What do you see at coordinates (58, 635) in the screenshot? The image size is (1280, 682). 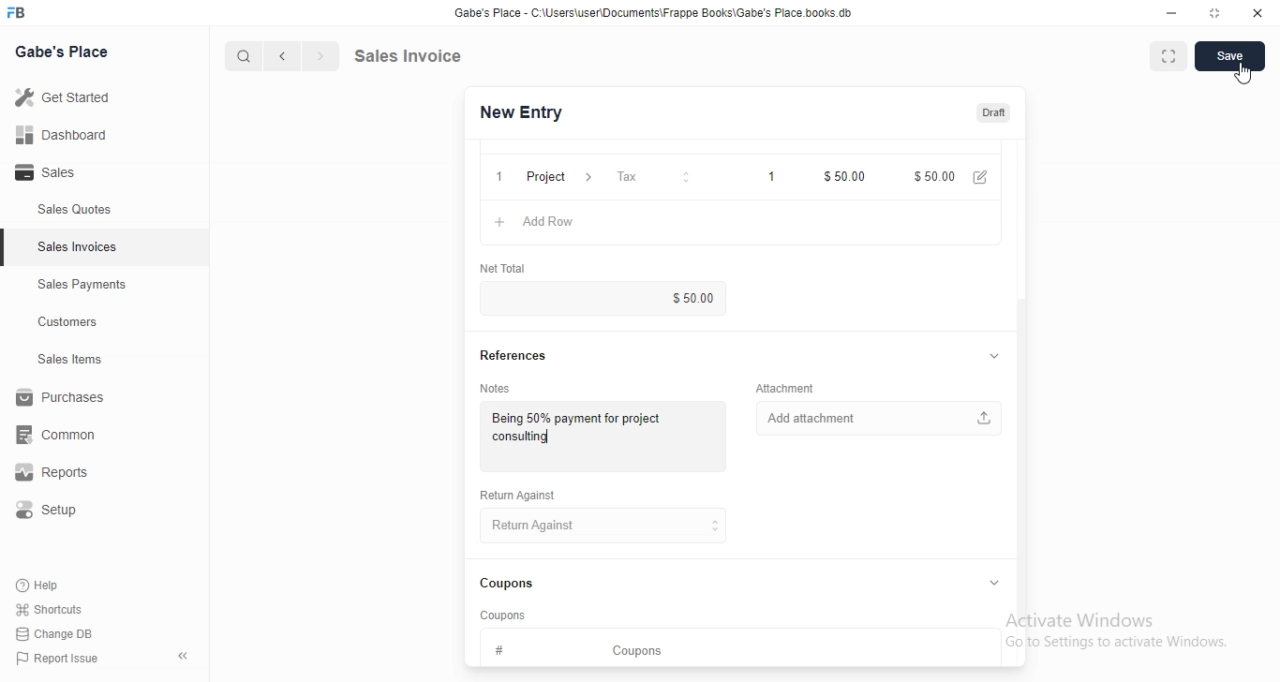 I see `Change DB` at bounding box center [58, 635].